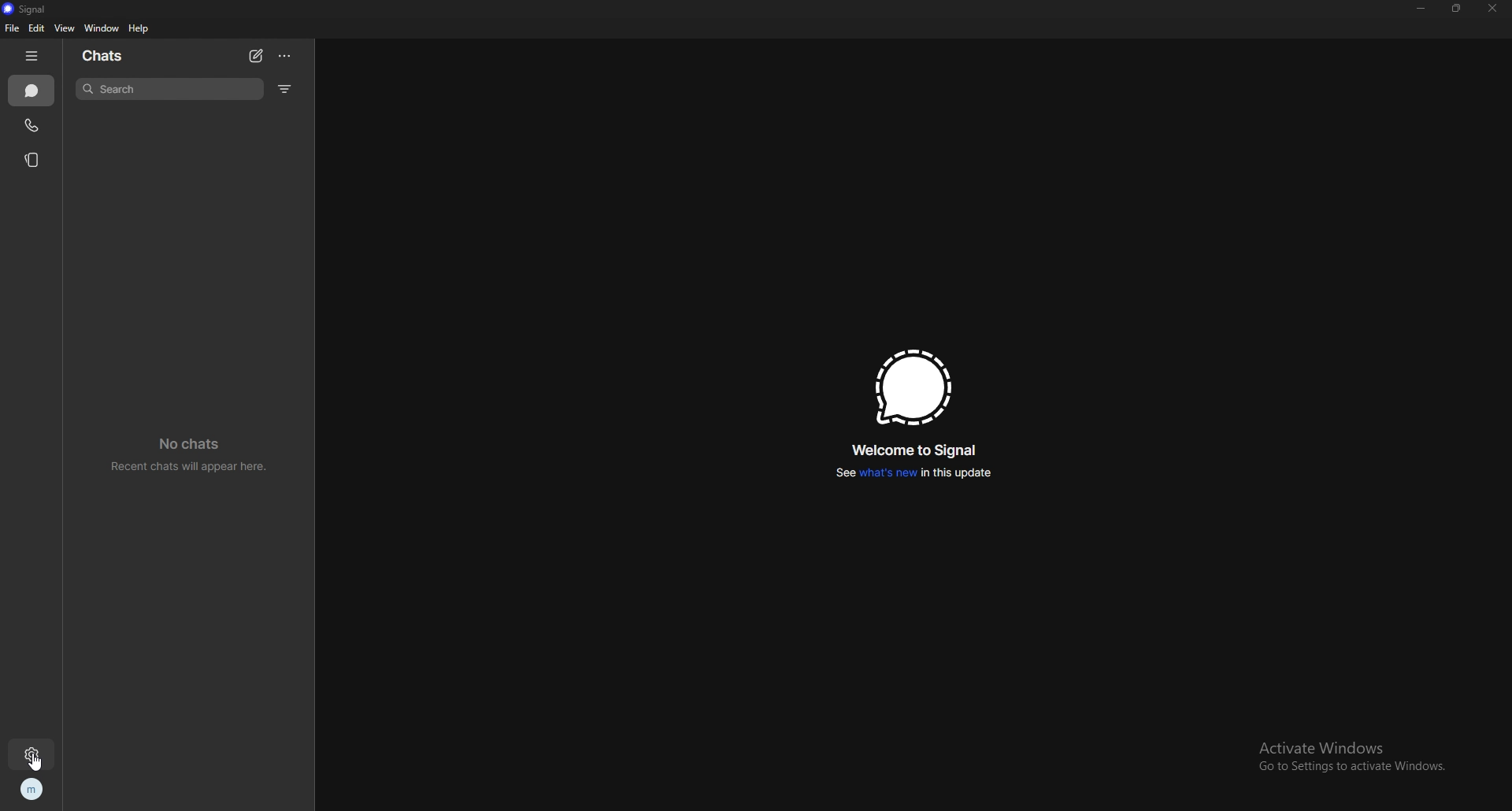 This screenshot has width=1512, height=811. What do you see at coordinates (187, 454) in the screenshot?
I see `no chats recent chats will sppear here` at bounding box center [187, 454].